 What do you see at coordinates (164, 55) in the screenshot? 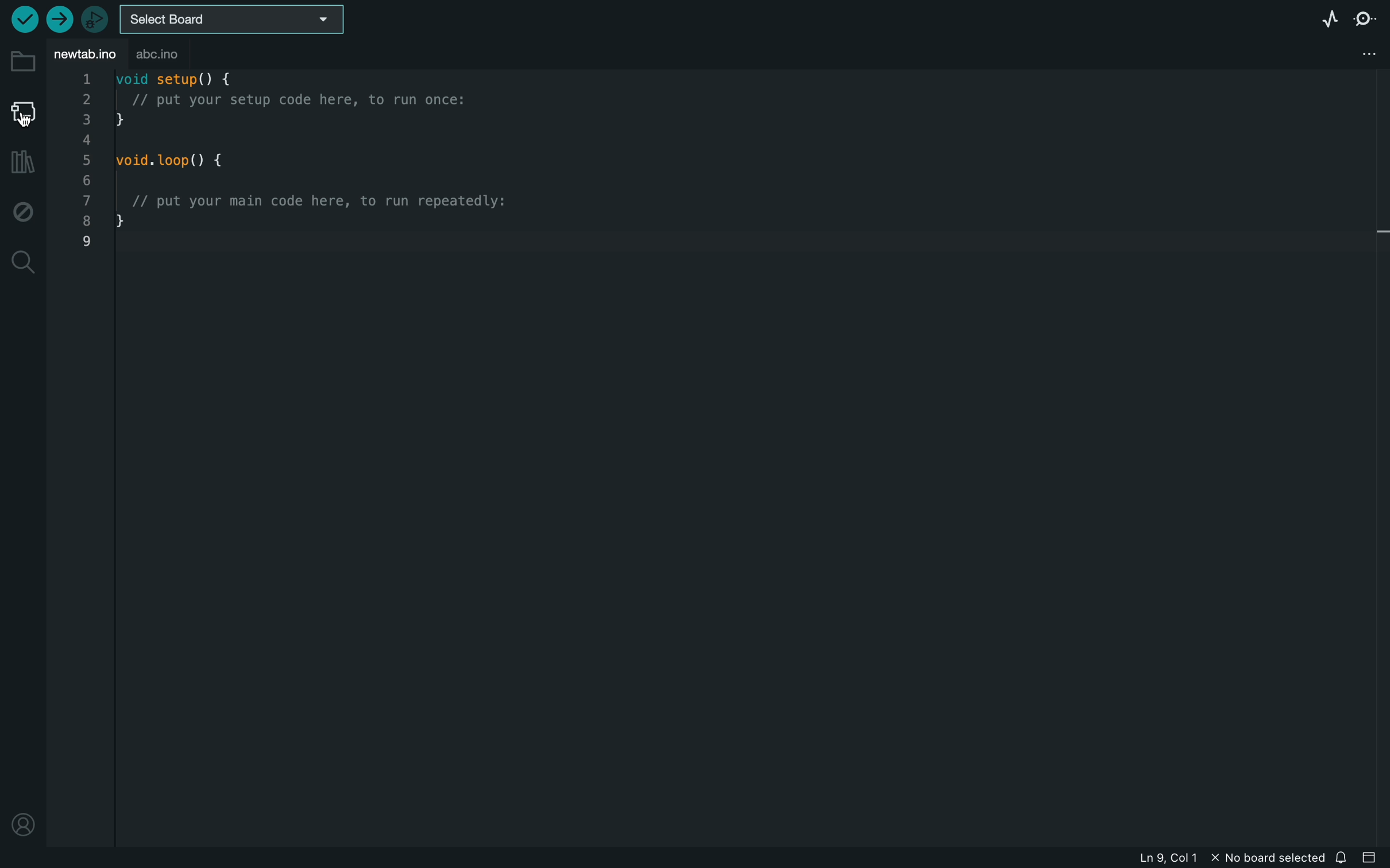
I see `abc .ino` at bounding box center [164, 55].